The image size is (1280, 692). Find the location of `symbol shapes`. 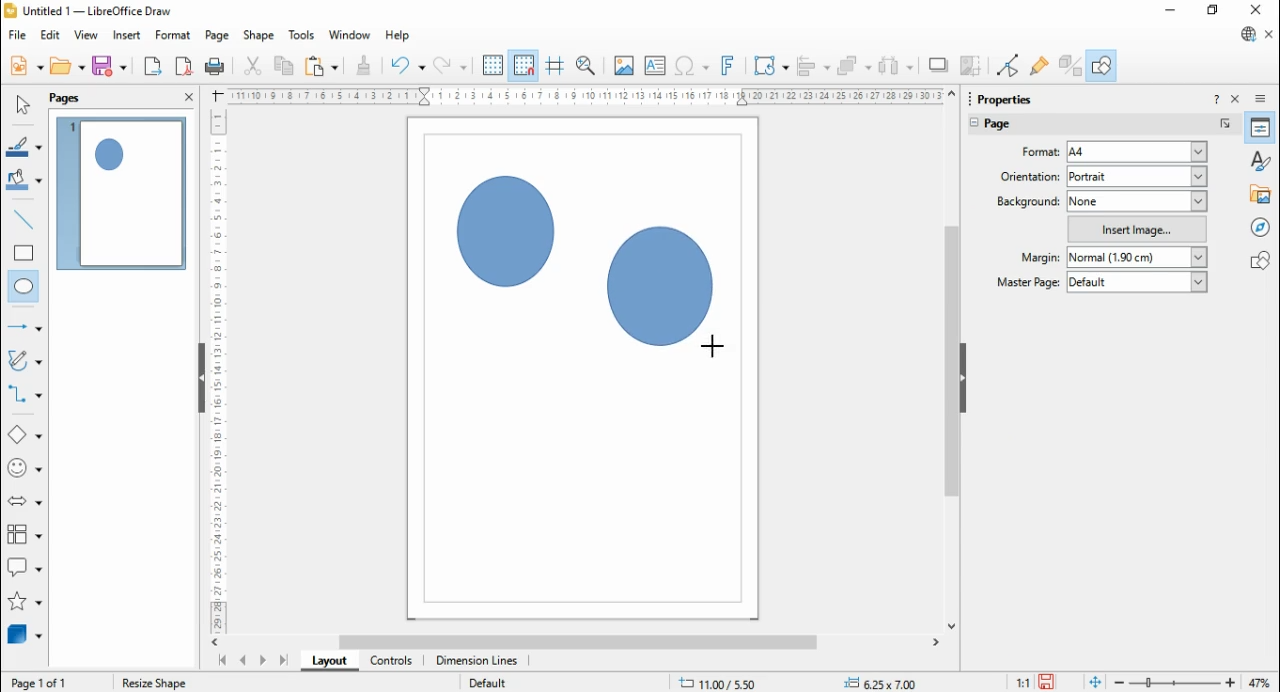

symbol shapes is located at coordinates (26, 470).